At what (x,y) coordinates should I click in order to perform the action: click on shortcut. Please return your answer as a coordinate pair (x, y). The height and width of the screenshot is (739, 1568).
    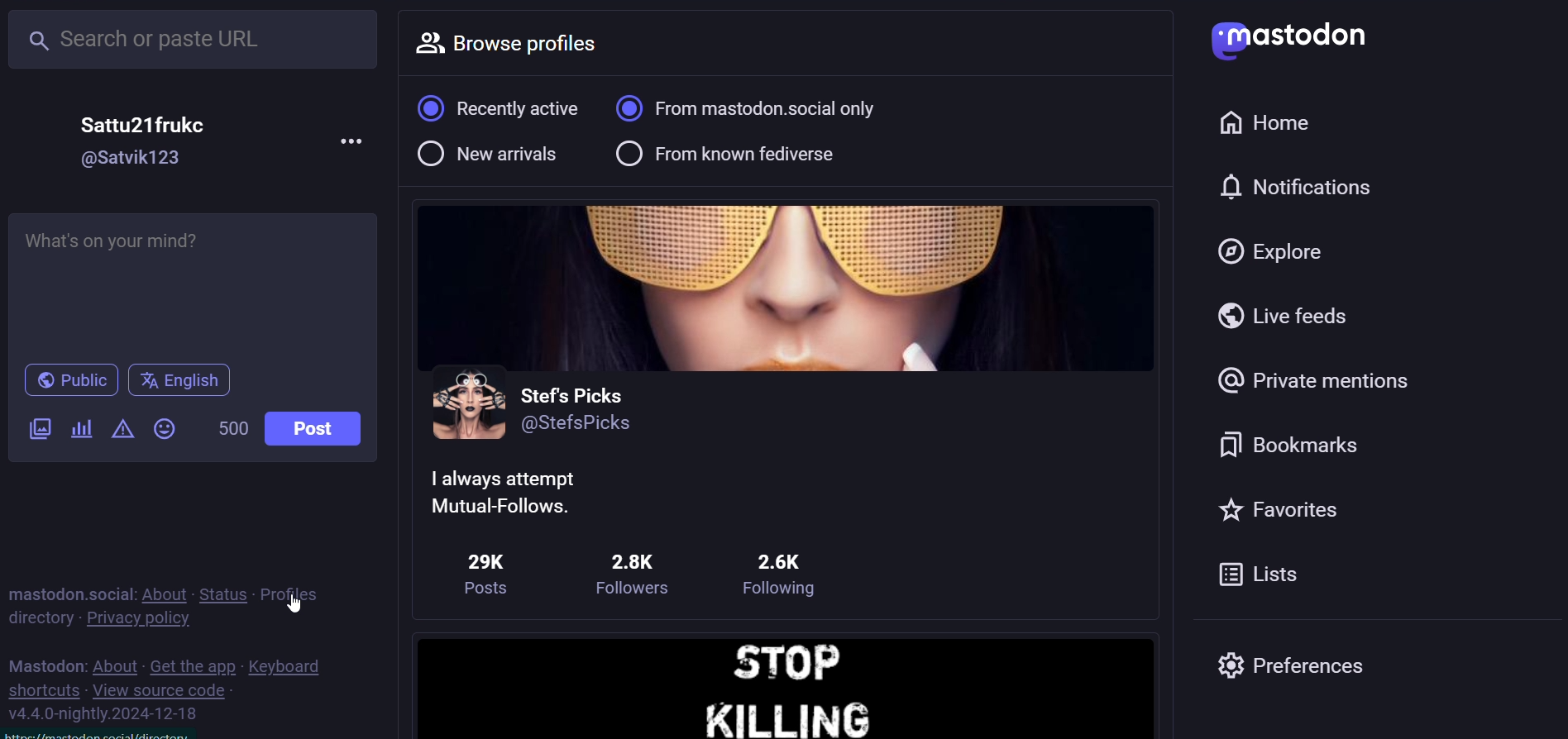
    Looking at the image, I should click on (45, 689).